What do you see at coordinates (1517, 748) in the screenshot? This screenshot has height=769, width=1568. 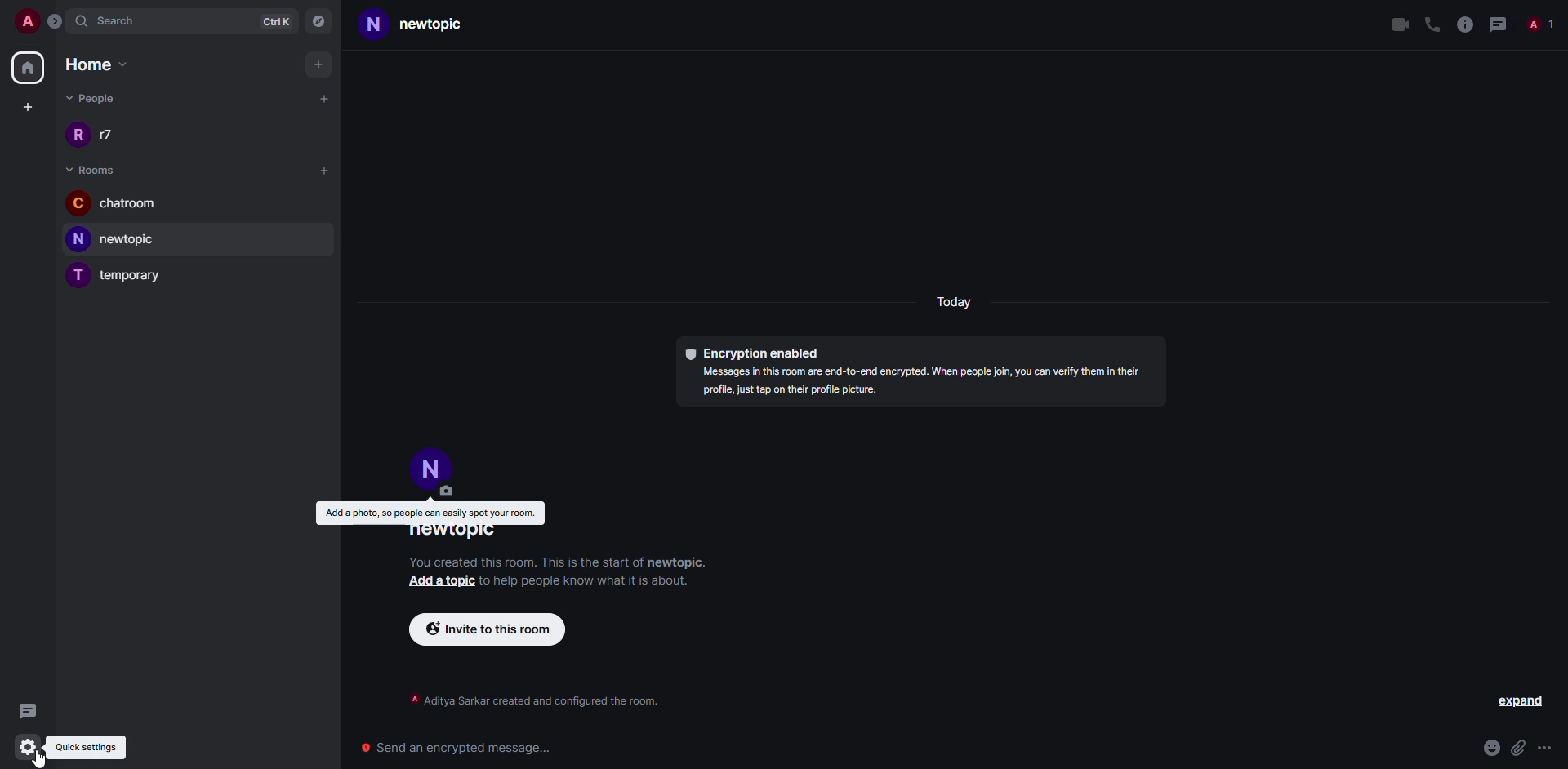 I see `attach` at bounding box center [1517, 748].